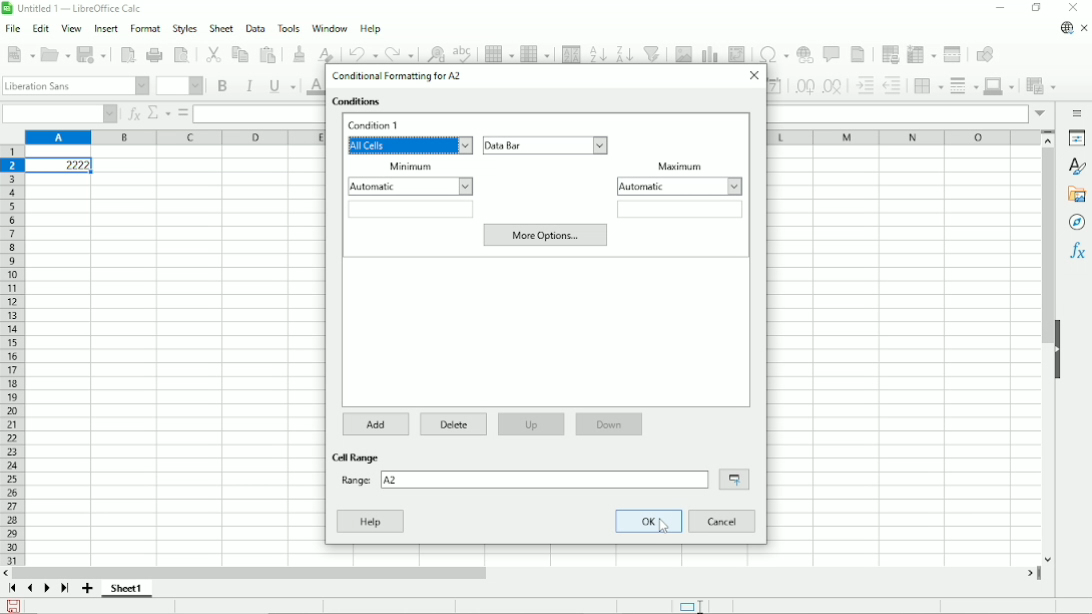 The height and width of the screenshot is (614, 1092). What do you see at coordinates (410, 186) in the screenshot?
I see `automatic` at bounding box center [410, 186].